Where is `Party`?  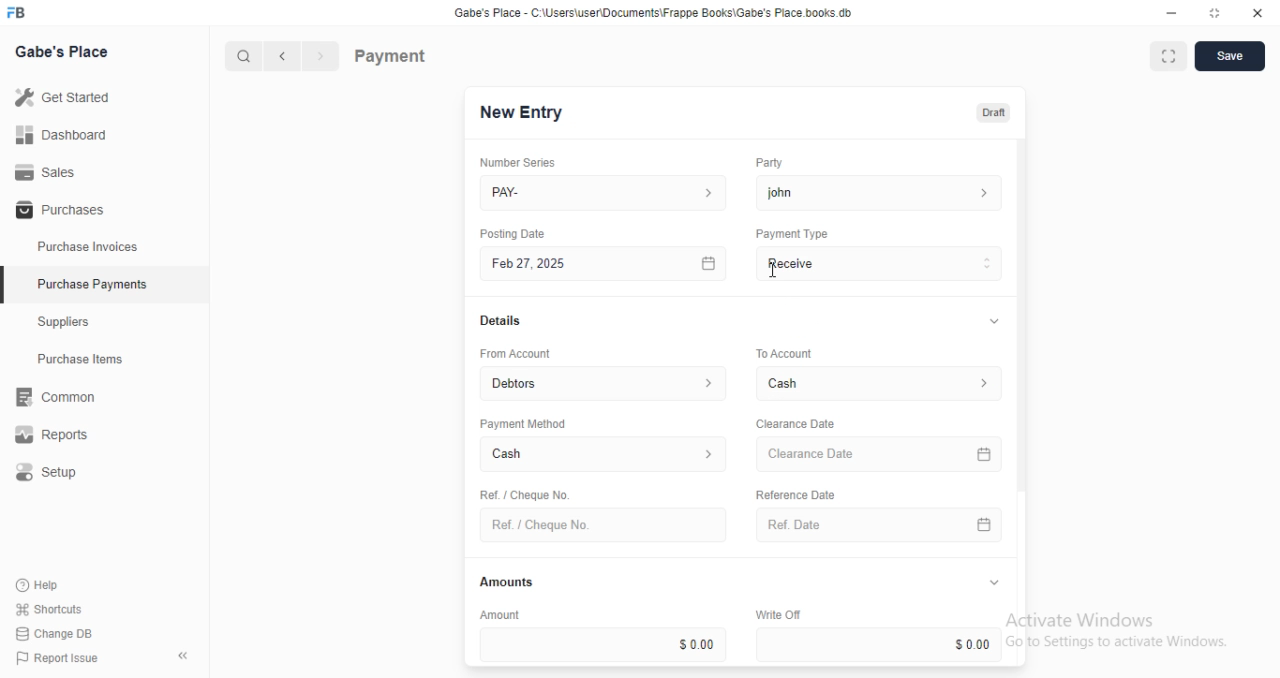 Party is located at coordinates (767, 163).